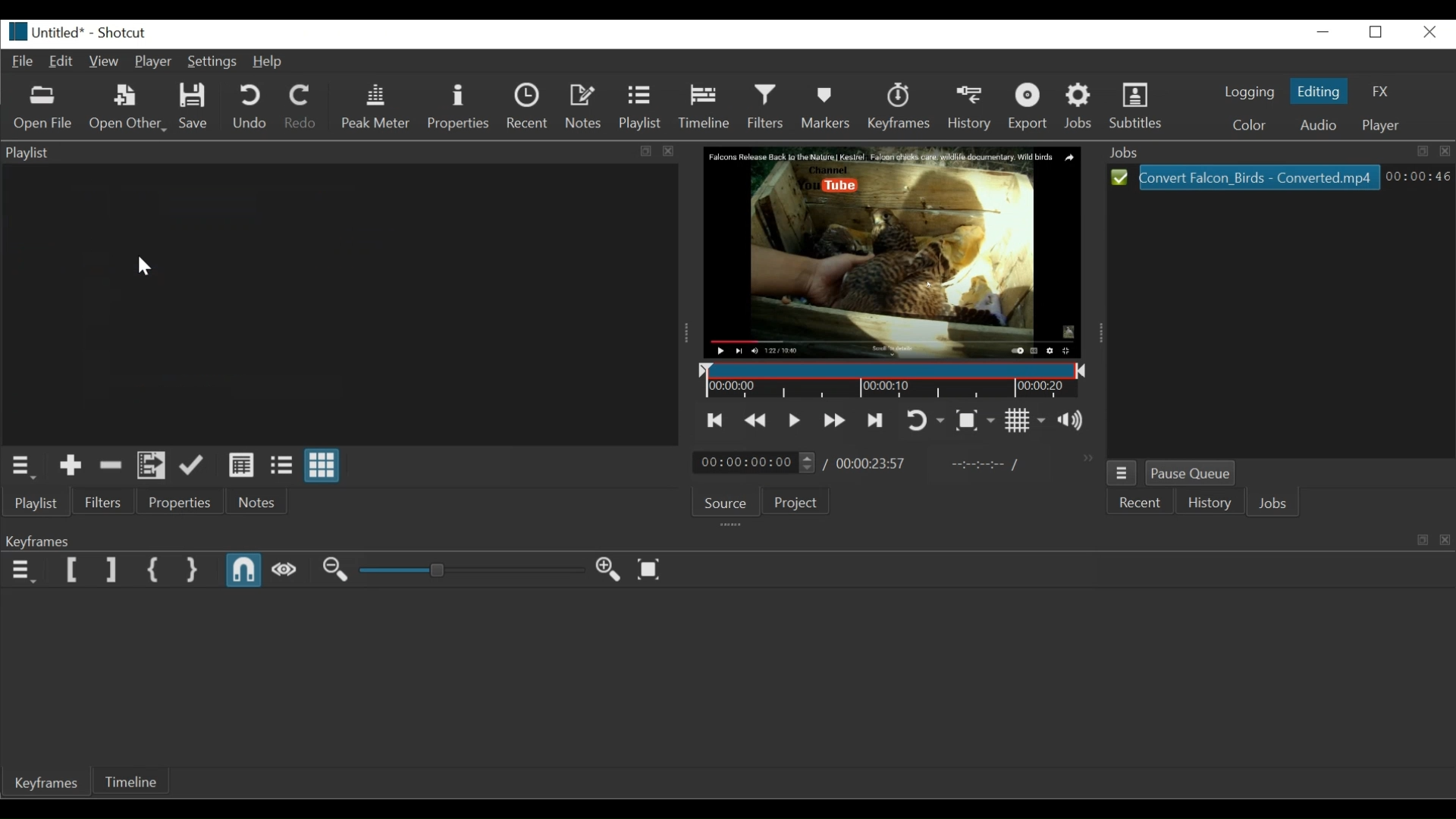 This screenshot has height=819, width=1456. Describe the element at coordinates (1246, 177) in the screenshot. I see `Convert_Falcon_Birds -Coverted.mp4(File)` at that location.